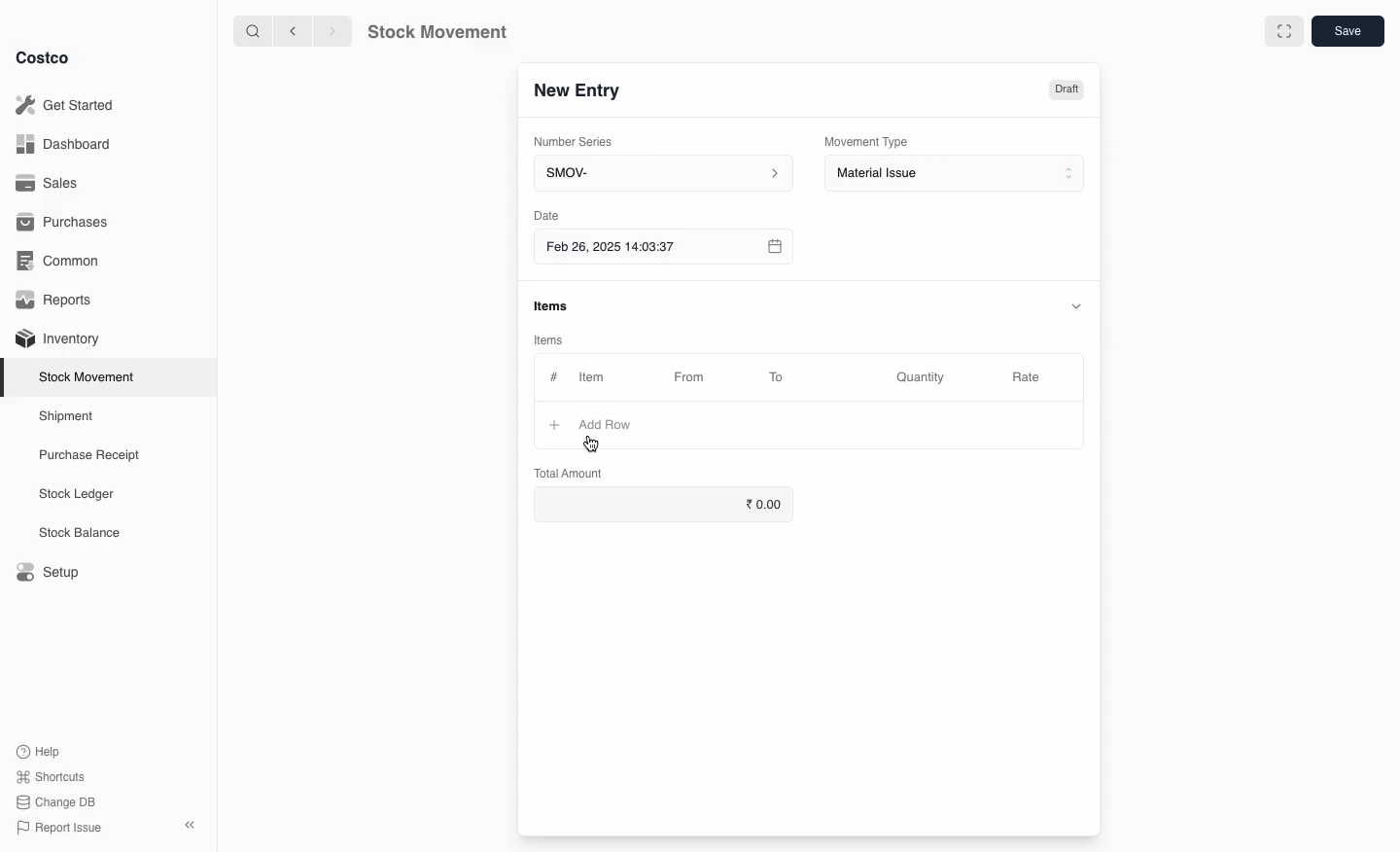 This screenshot has width=1400, height=852. I want to click on Item, so click(602, 376).